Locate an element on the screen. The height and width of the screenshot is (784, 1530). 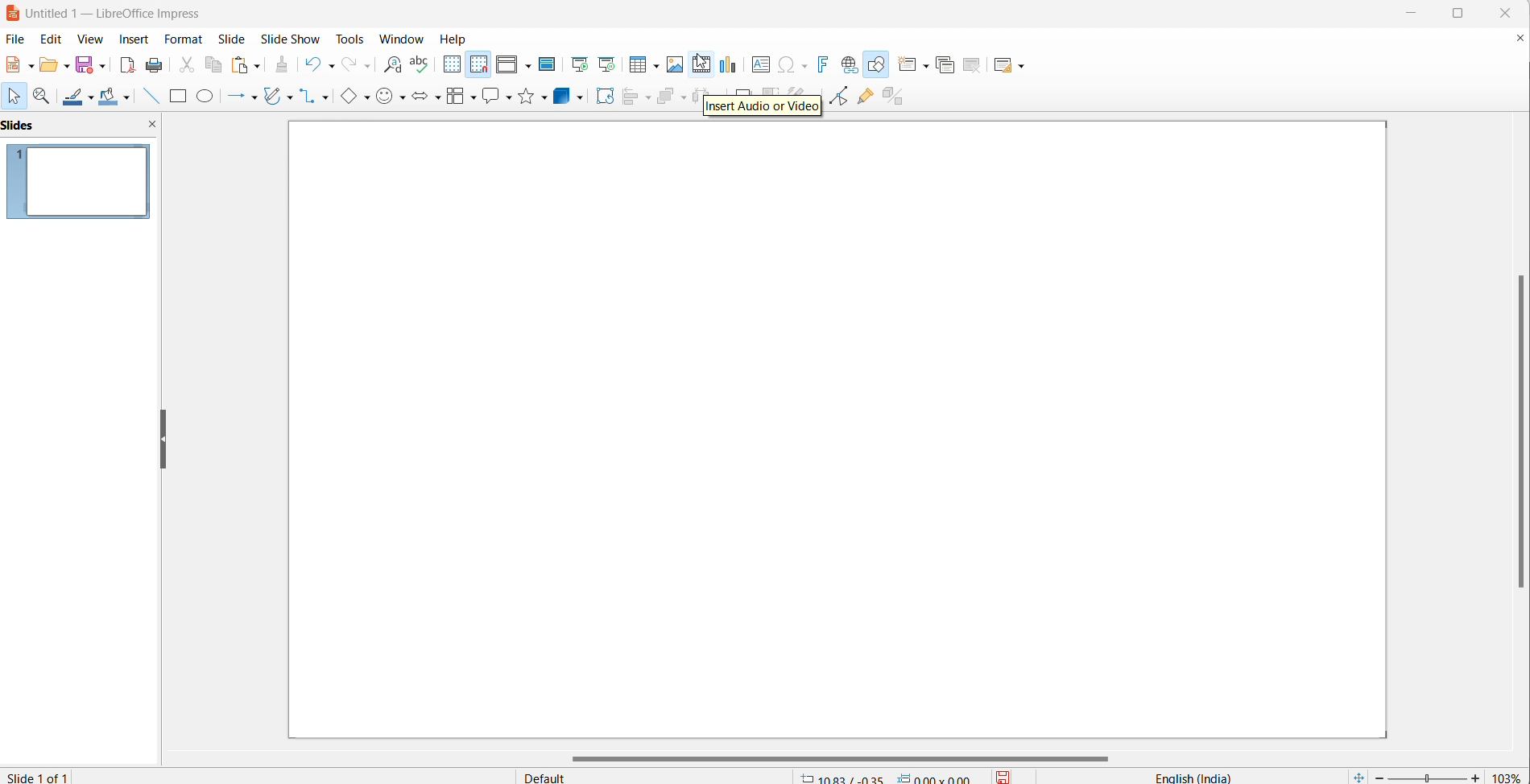
slide master type is located at coordinates (659, 775).